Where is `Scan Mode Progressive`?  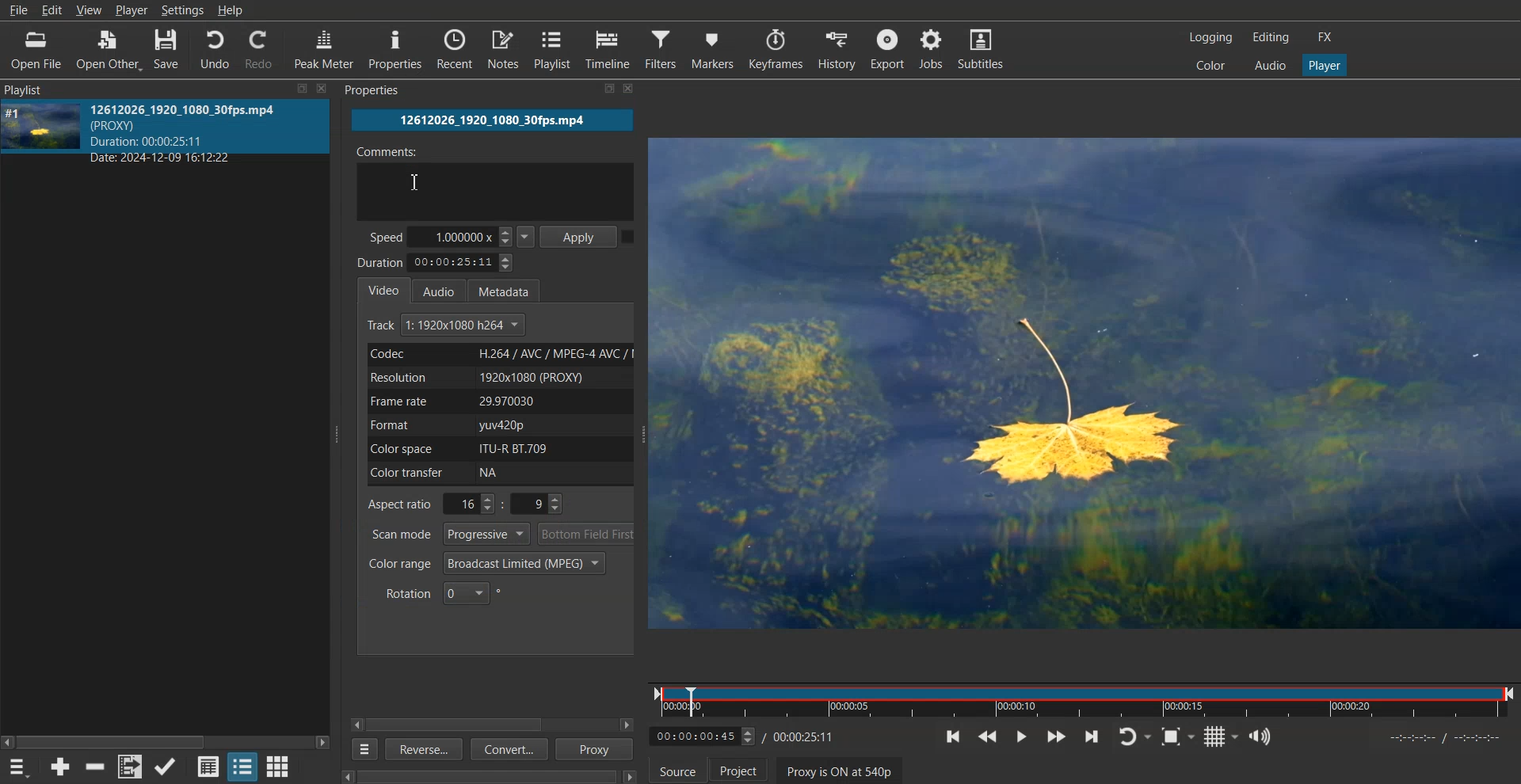 Scan Mode Progressive is located at coordinates (448, 534).